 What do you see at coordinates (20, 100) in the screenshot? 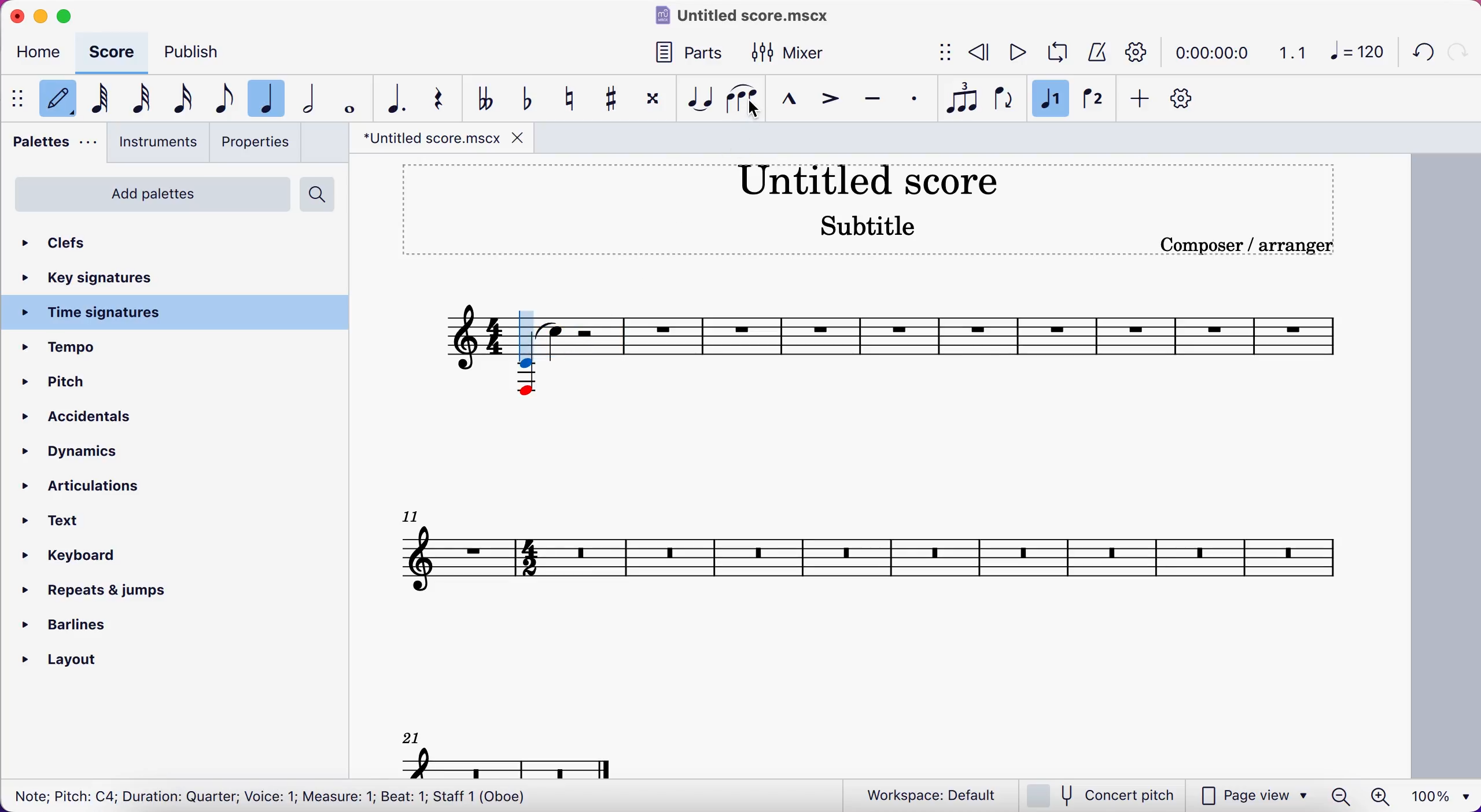
I see `show/hide` at bounding box center [20, 100].